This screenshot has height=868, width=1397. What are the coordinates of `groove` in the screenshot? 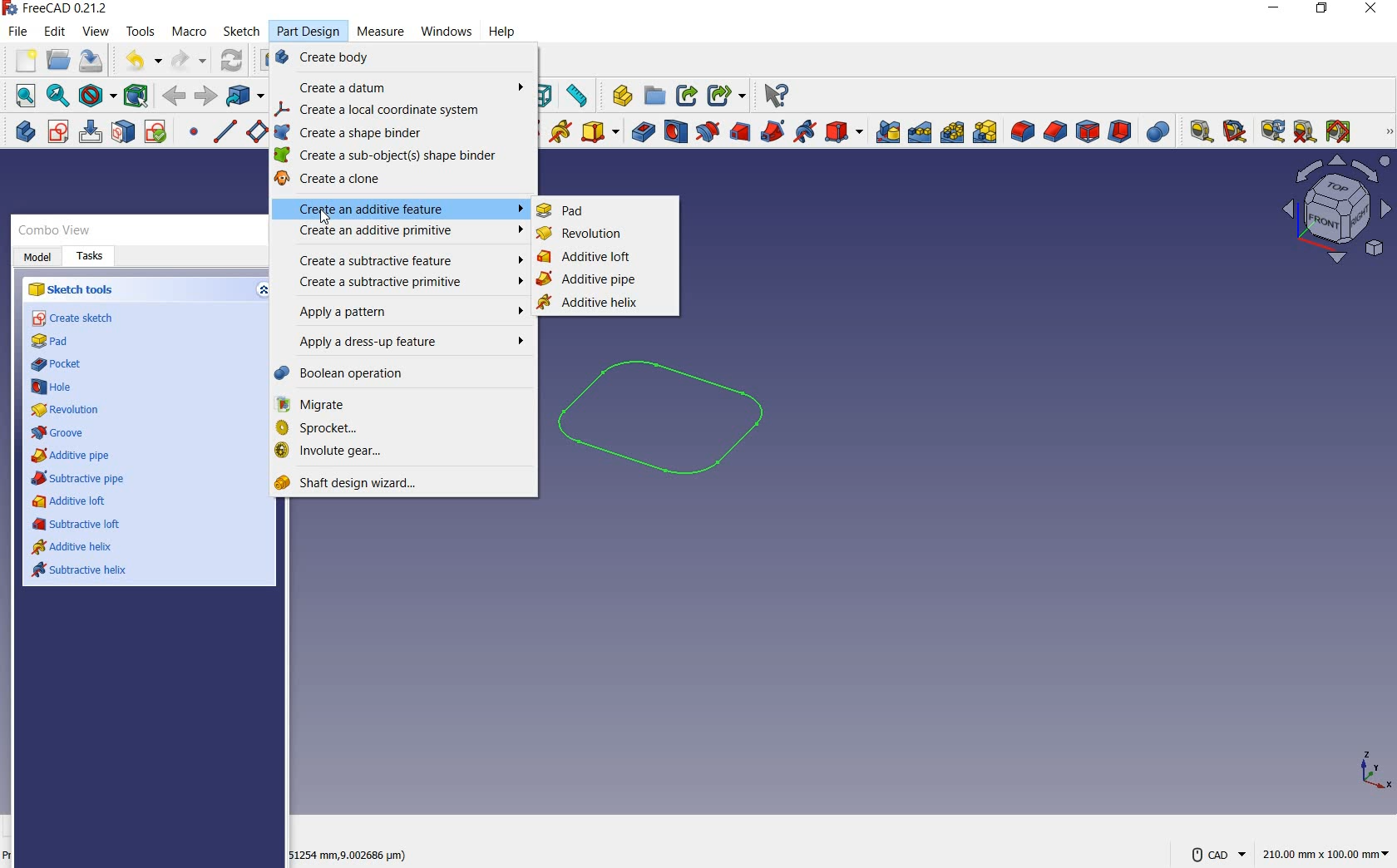 It's located at (58, 431).